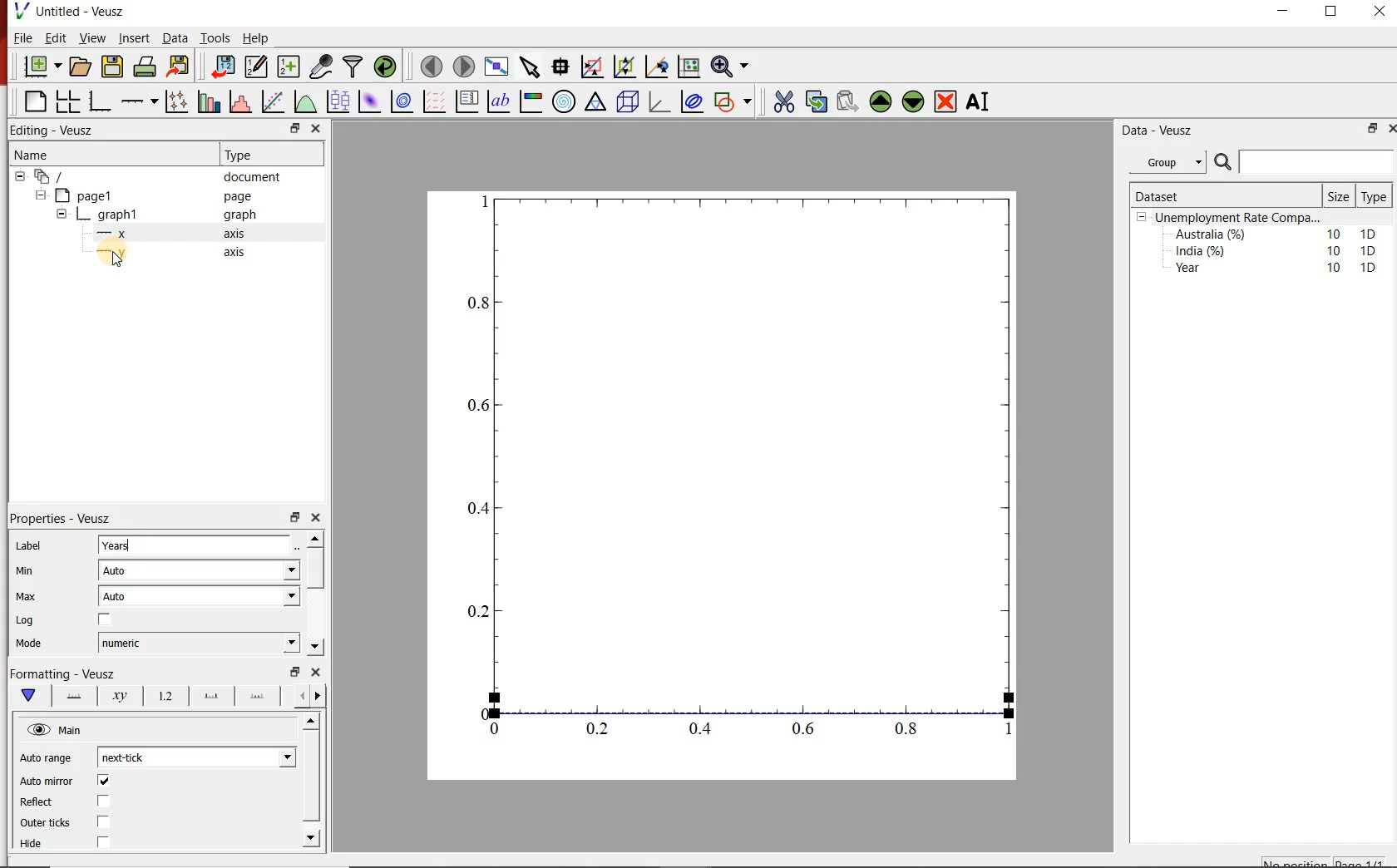  Describe the element at coordinates (981, 101) in the screenshot. I see `rename the widgets` at that location.